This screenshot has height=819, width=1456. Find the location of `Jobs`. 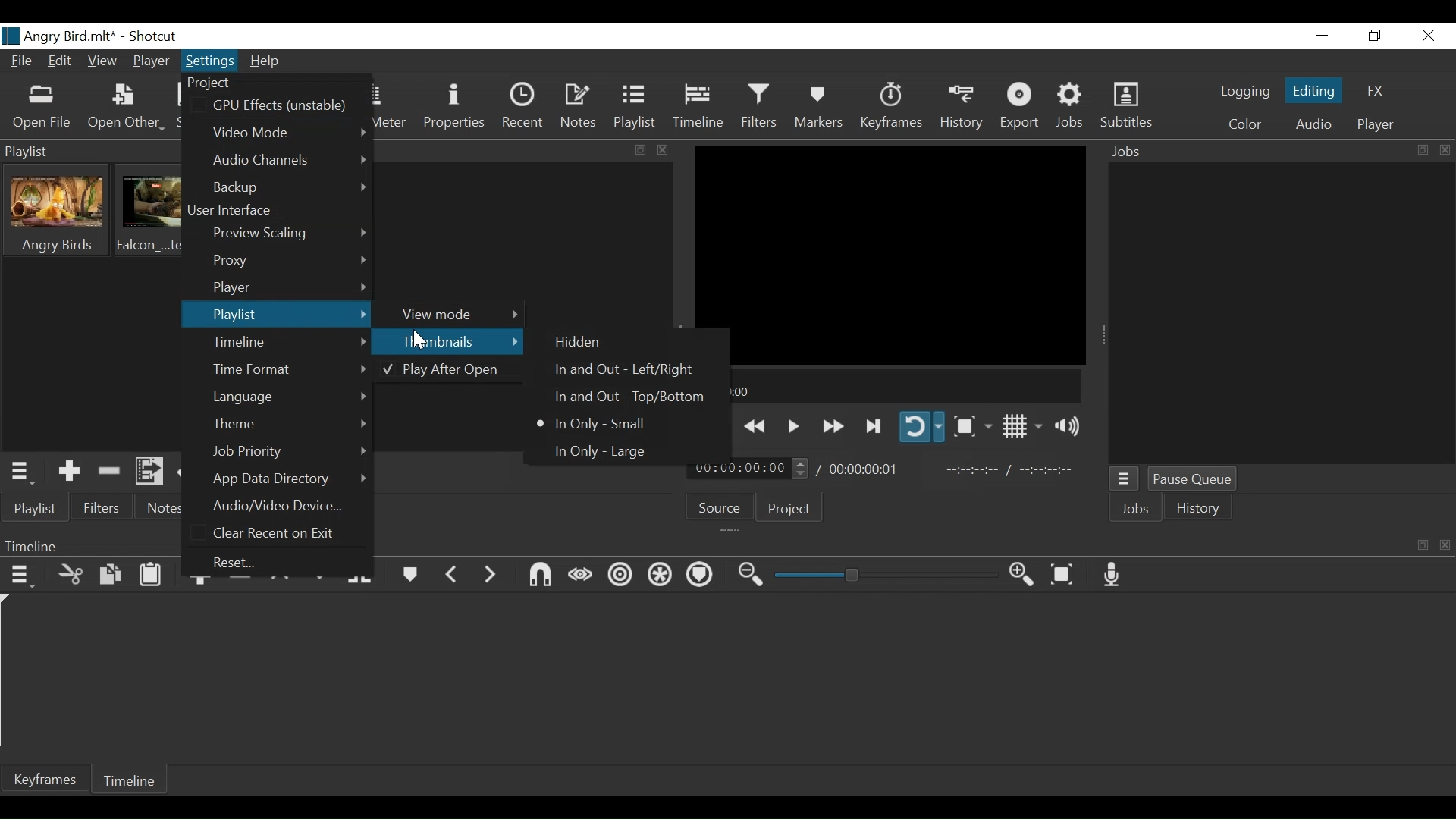

Jobs is located at coordinates (1136, 509).